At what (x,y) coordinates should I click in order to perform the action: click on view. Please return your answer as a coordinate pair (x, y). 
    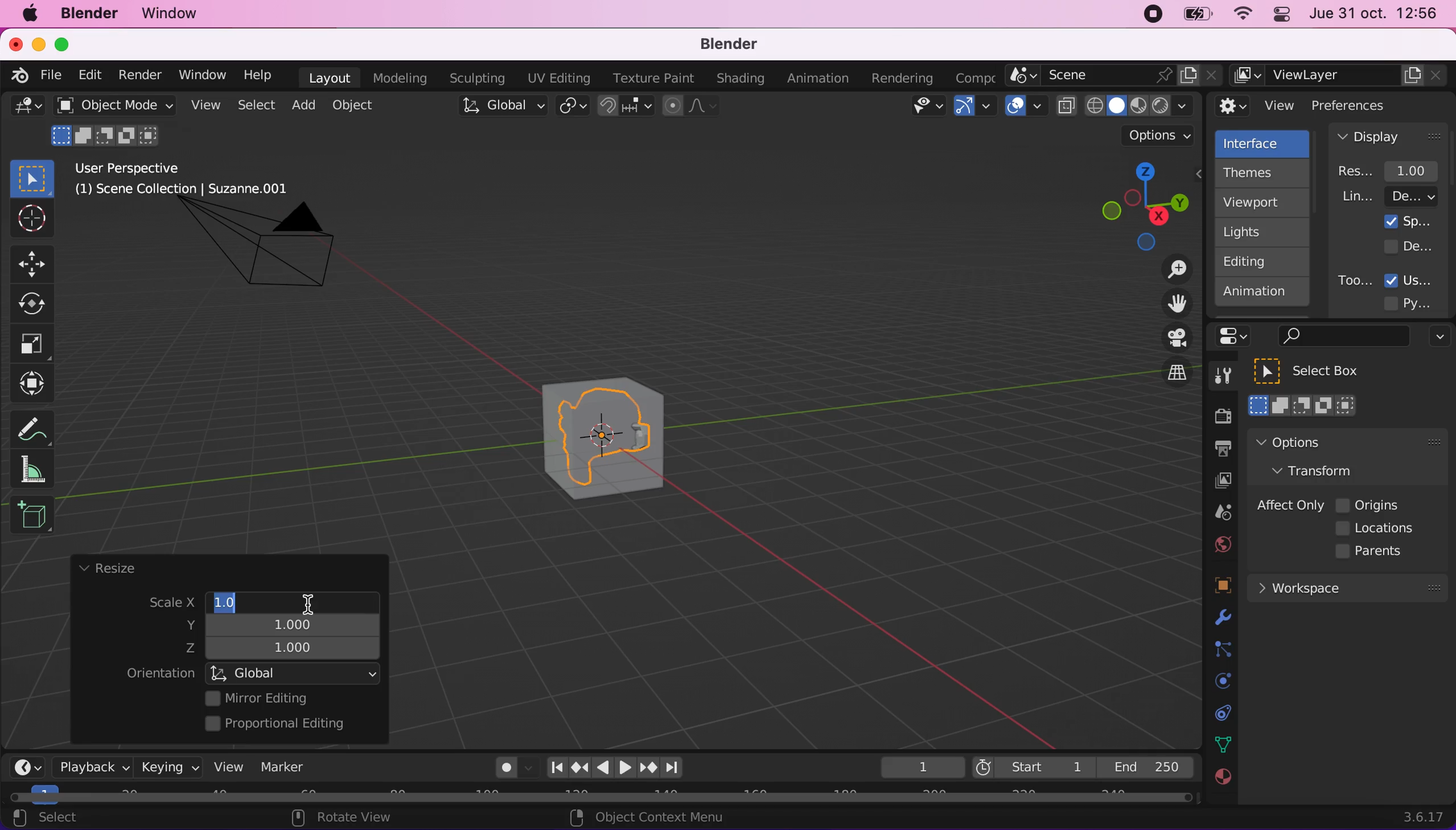
    Looking at the image, I should click on (224, 766).